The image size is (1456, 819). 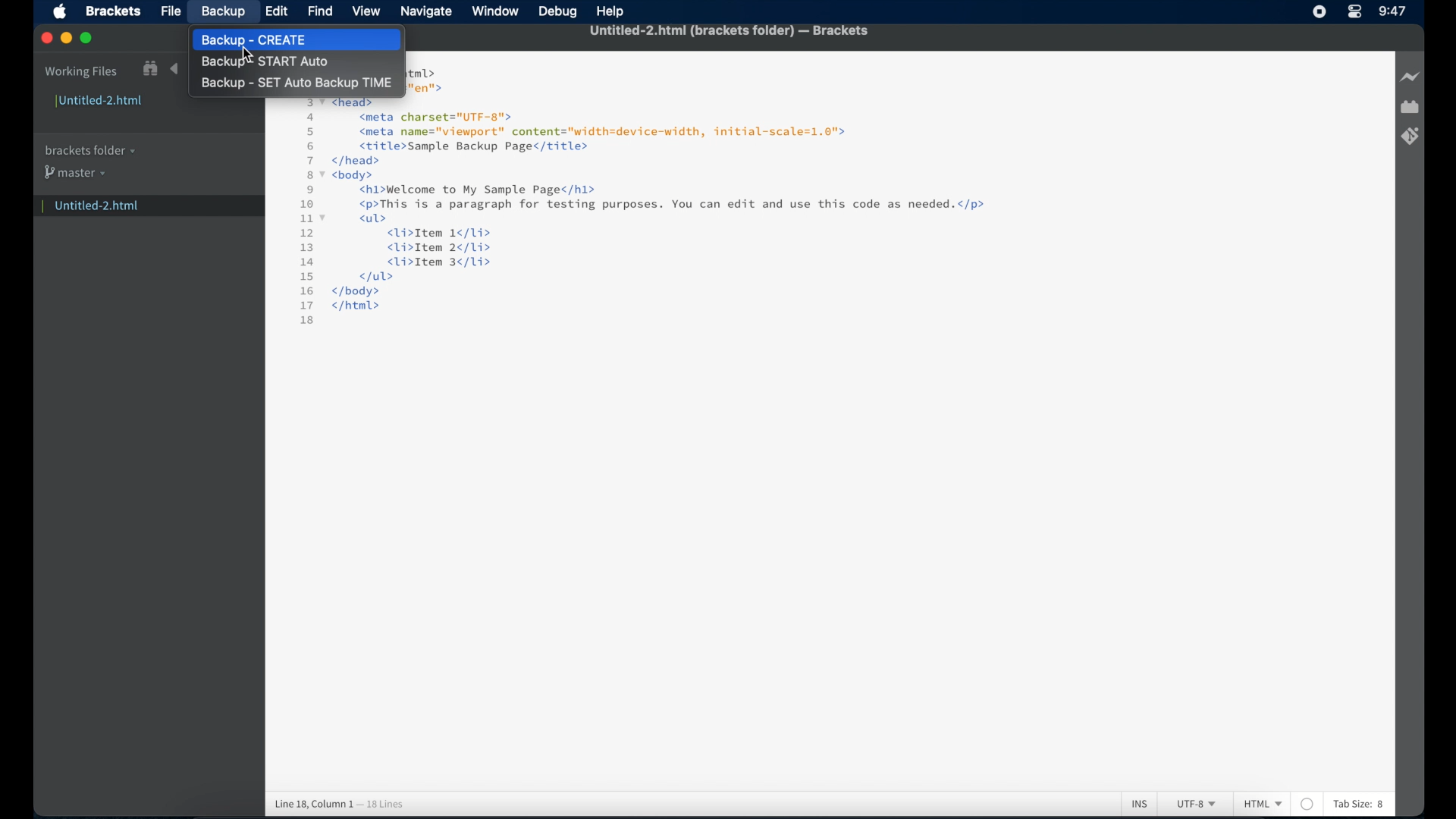 I want to click on navigate backward, so click(x=174, y=69).